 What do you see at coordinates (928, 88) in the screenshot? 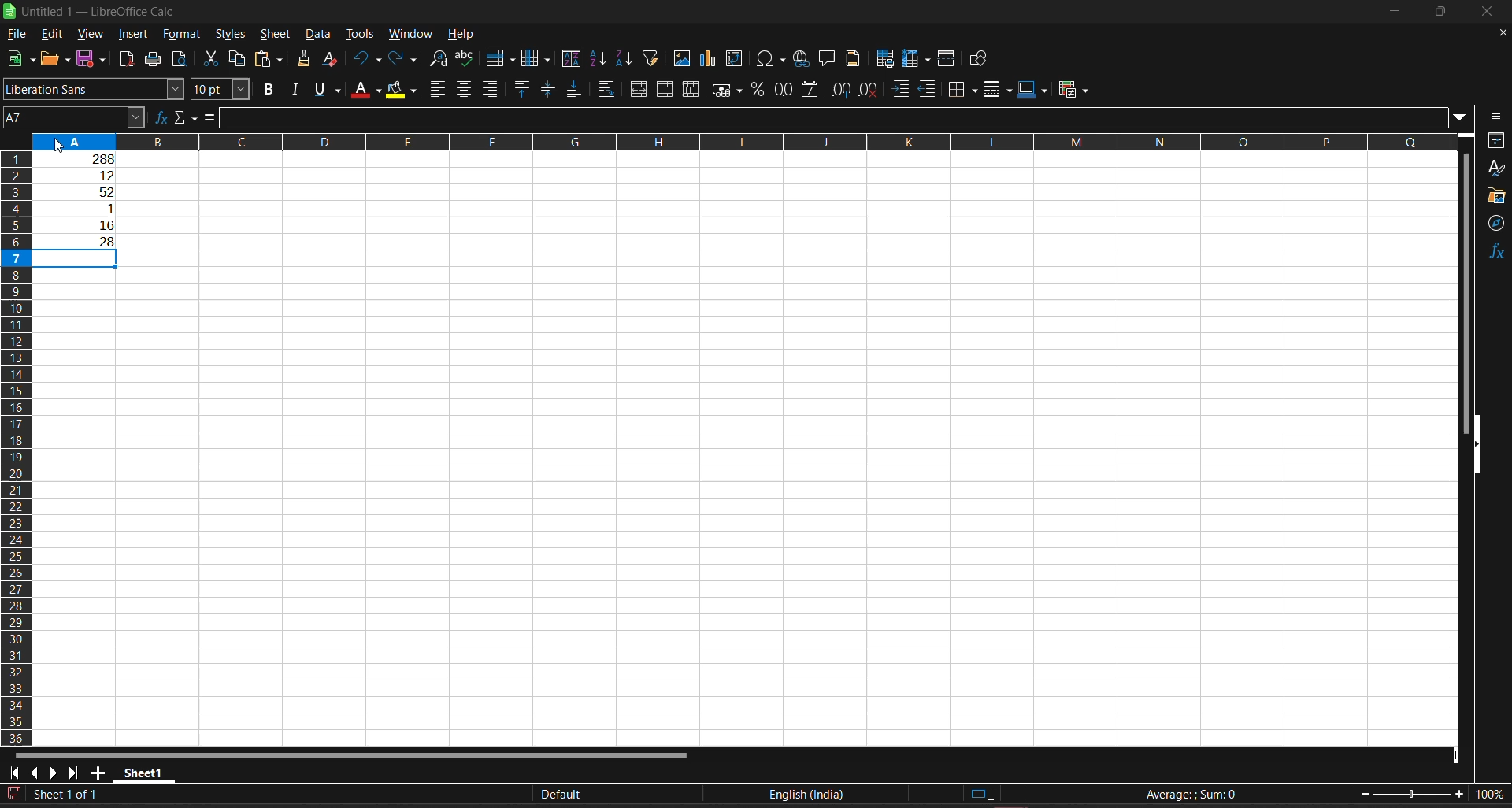
I see `decrease indent` at bounding box center [928, 88].